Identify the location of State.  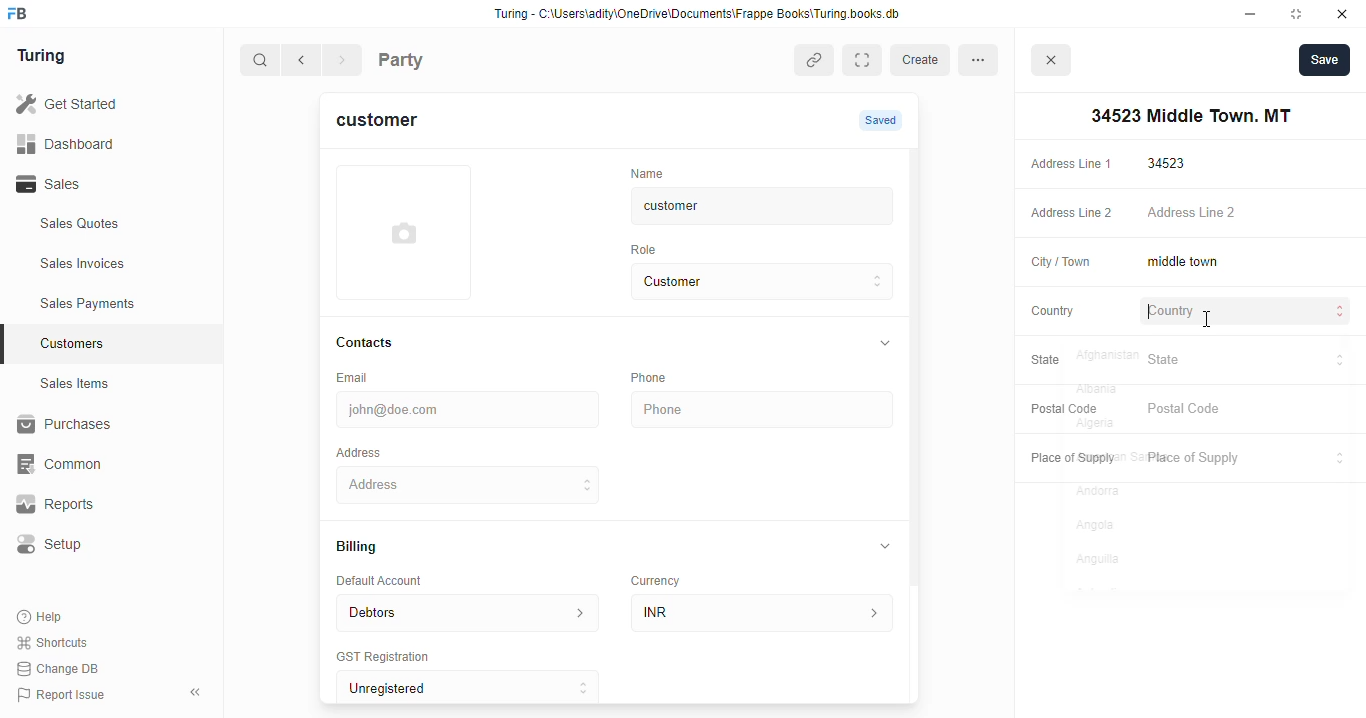
(1247, 360).